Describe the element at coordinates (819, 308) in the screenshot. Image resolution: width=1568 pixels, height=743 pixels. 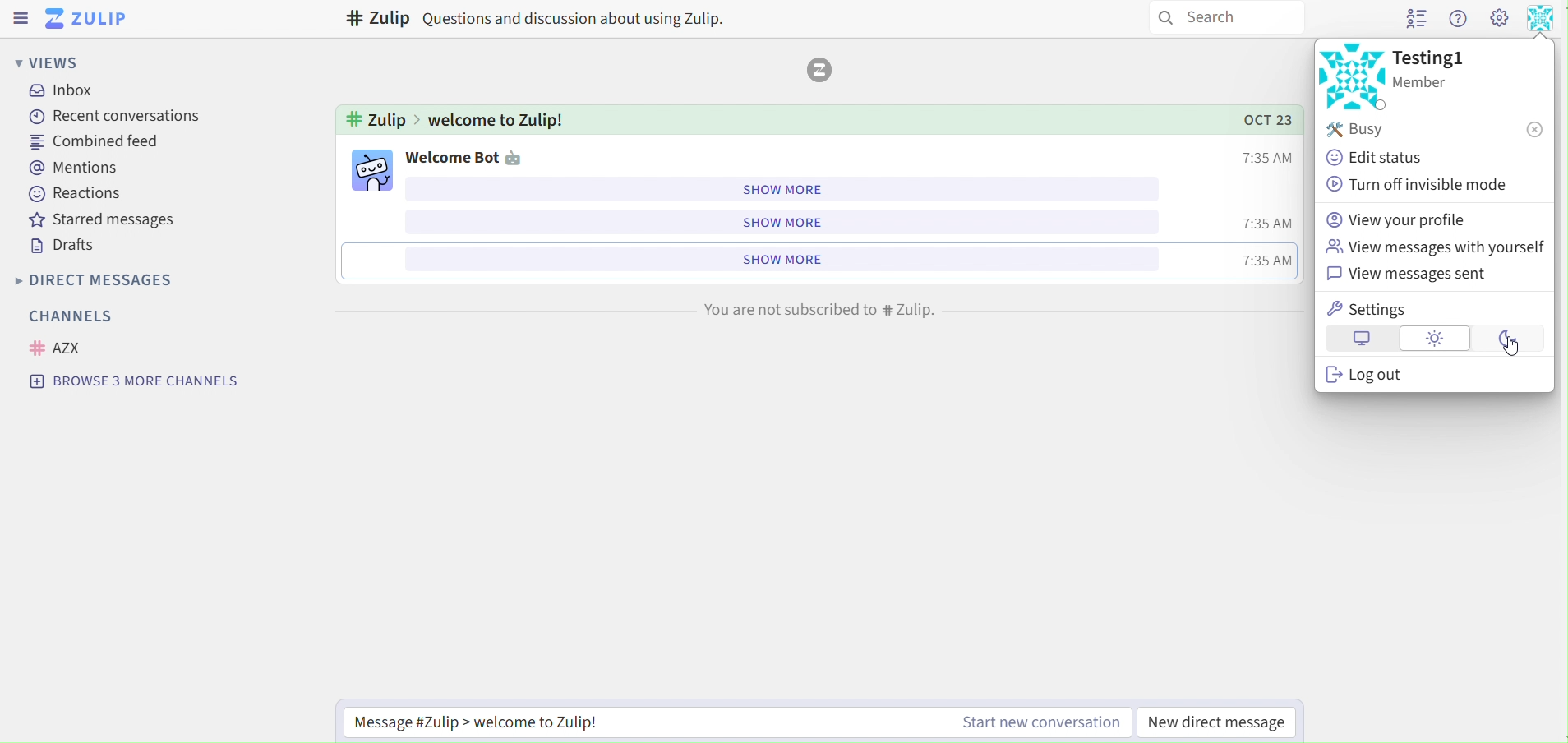
I see `You are not dewscribed to #zulip` at that location.